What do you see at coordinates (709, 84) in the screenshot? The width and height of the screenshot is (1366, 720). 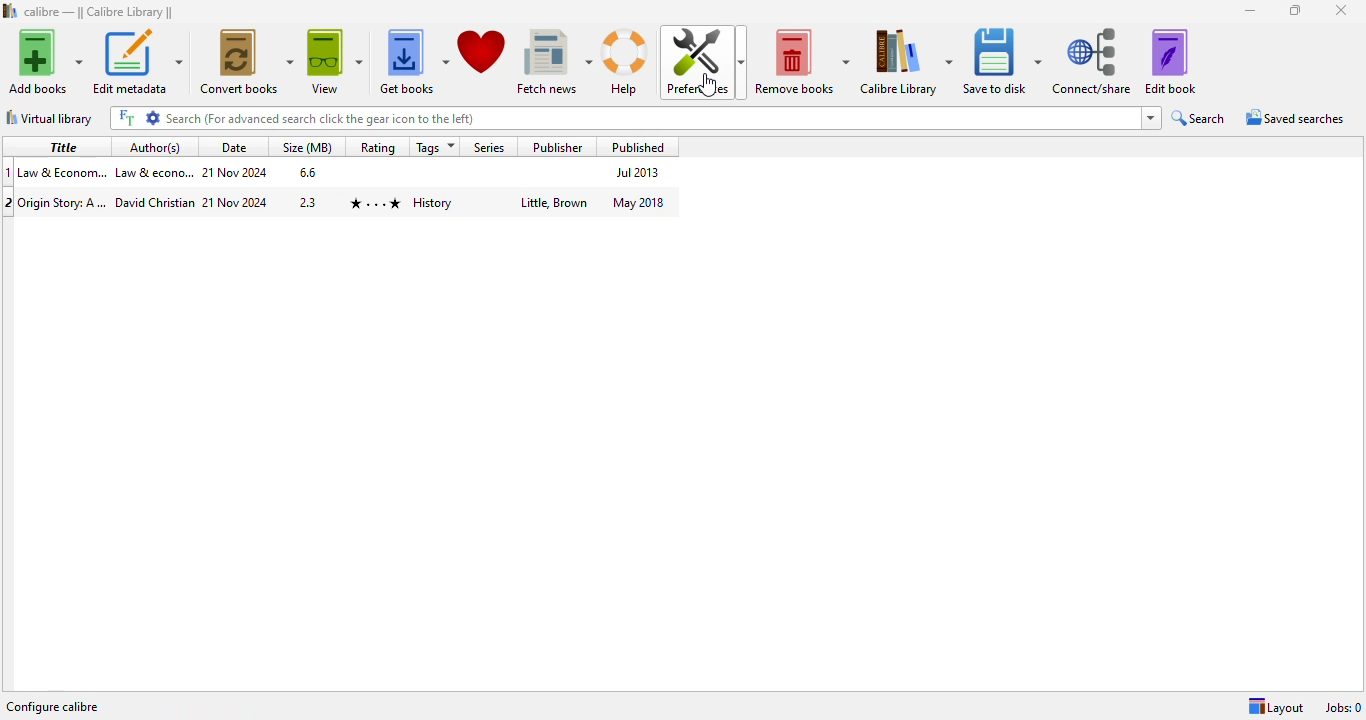 I see `cursor` at bounding box center [709, 84].